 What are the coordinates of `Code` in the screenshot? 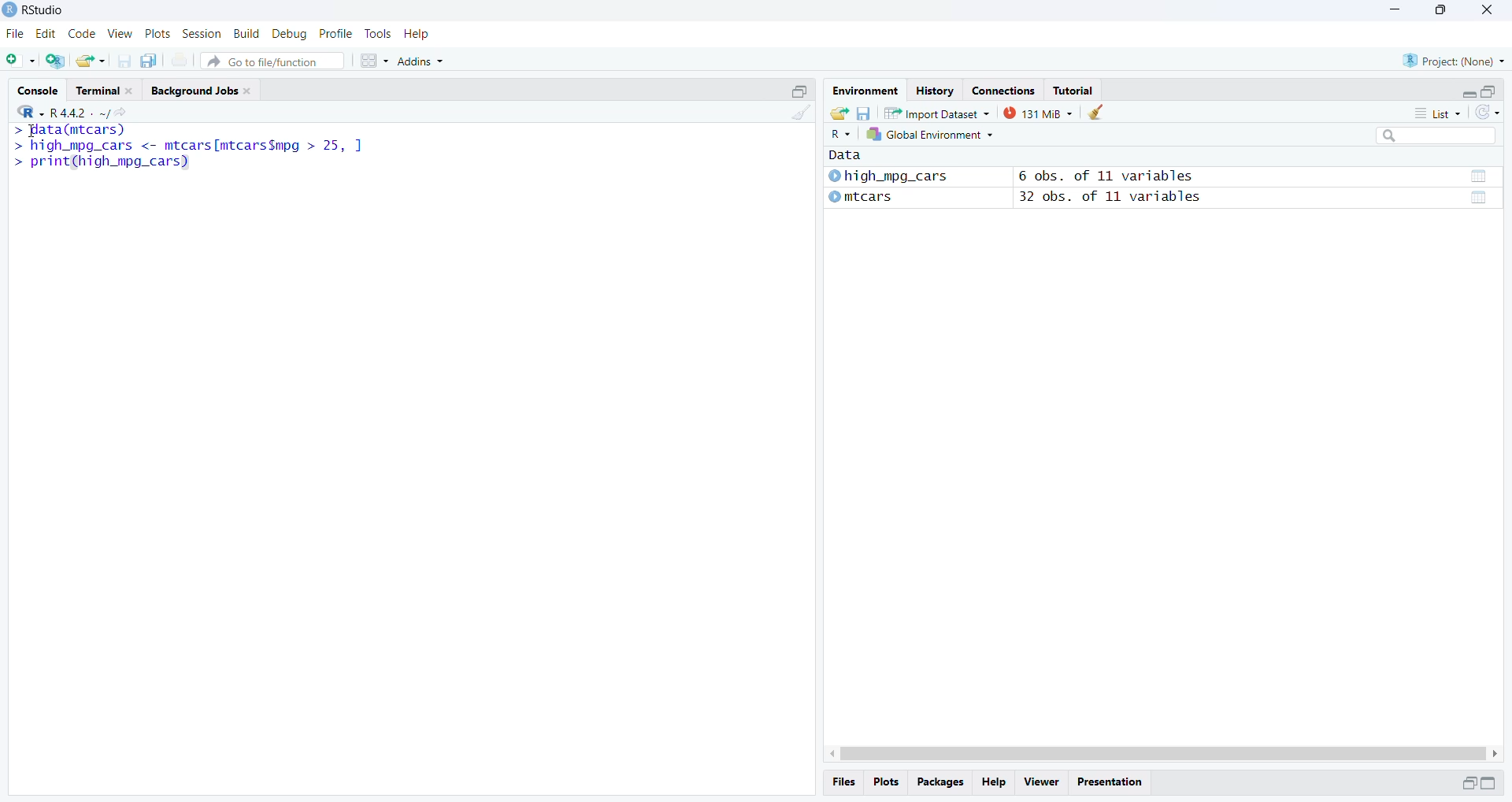 It's located at (81, 34).